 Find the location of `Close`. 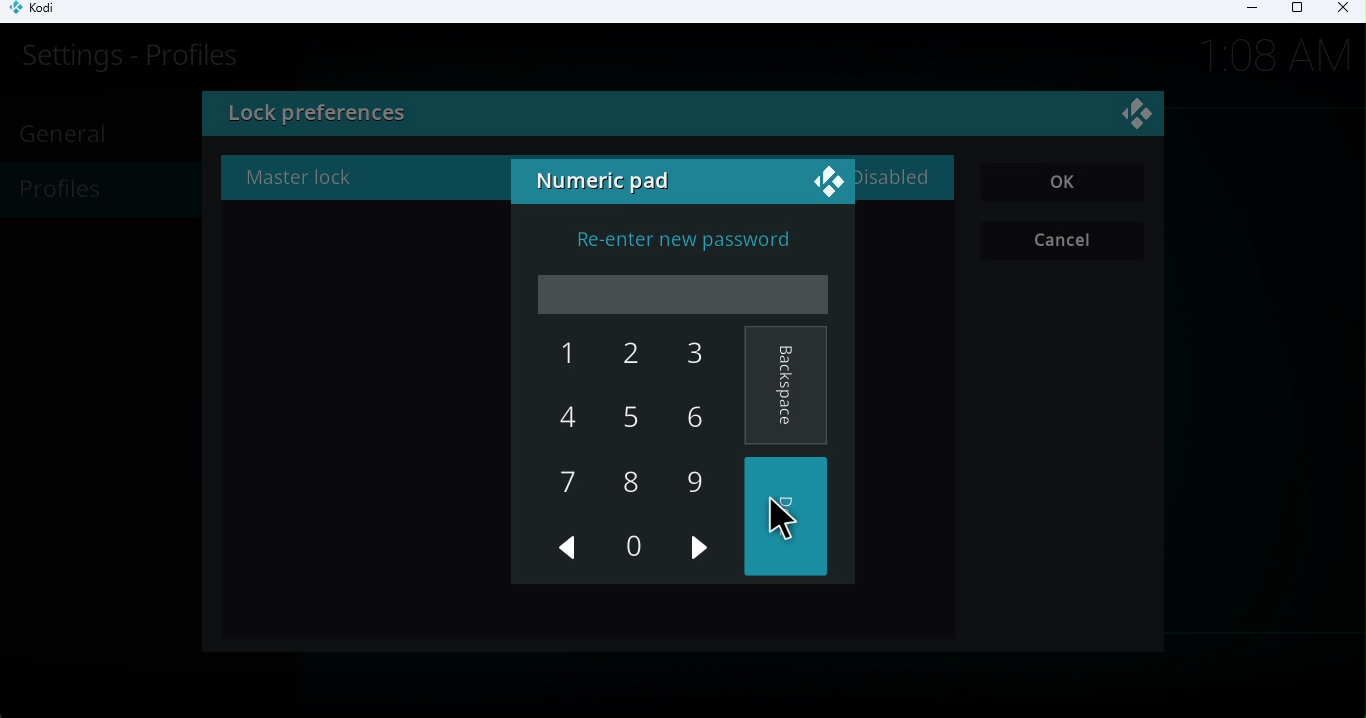

Close is located at coordinates (1340, 11).